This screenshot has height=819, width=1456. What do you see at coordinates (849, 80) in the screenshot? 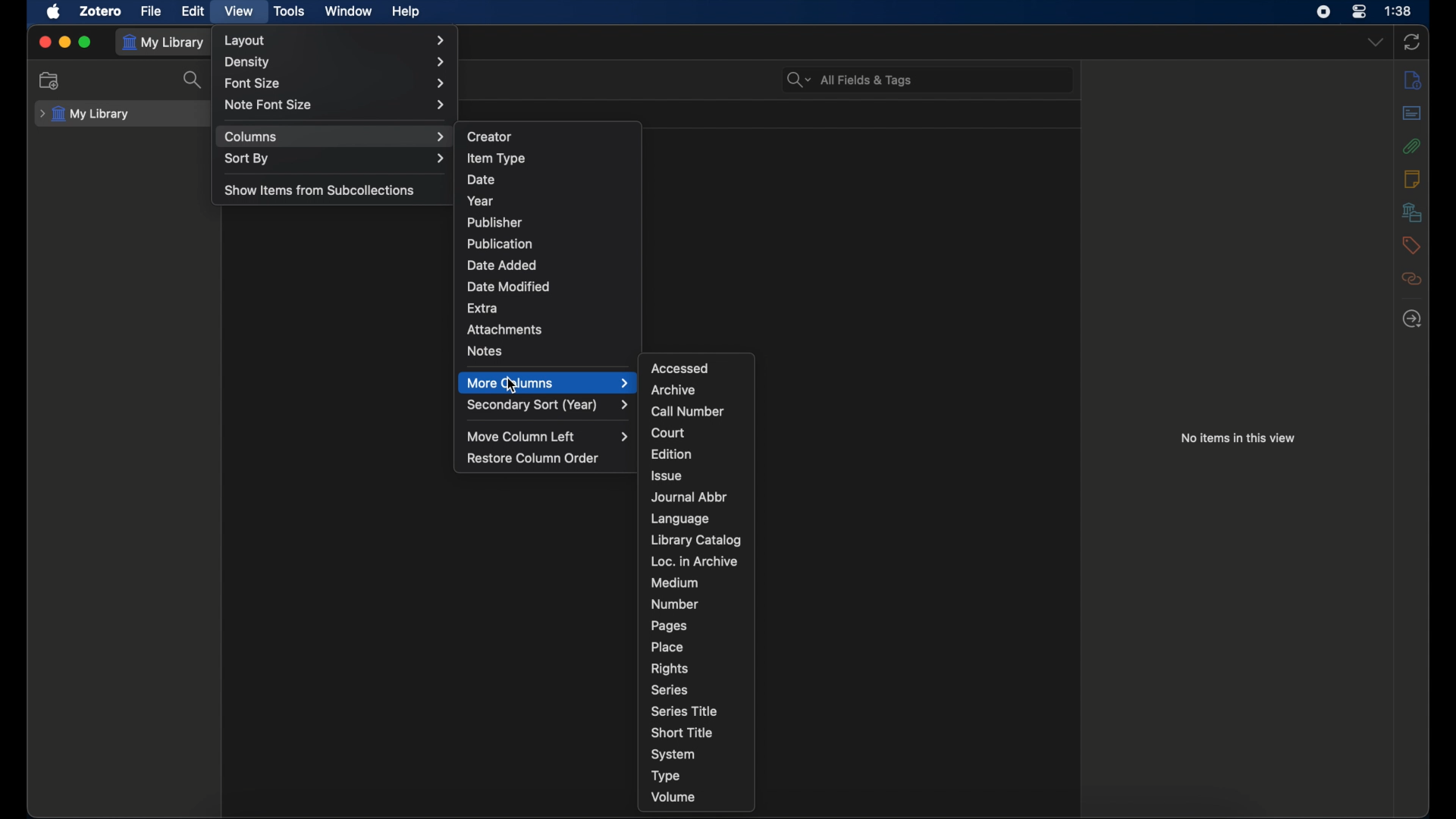
I see `All fields & tags` at bounding box center [849, 80].